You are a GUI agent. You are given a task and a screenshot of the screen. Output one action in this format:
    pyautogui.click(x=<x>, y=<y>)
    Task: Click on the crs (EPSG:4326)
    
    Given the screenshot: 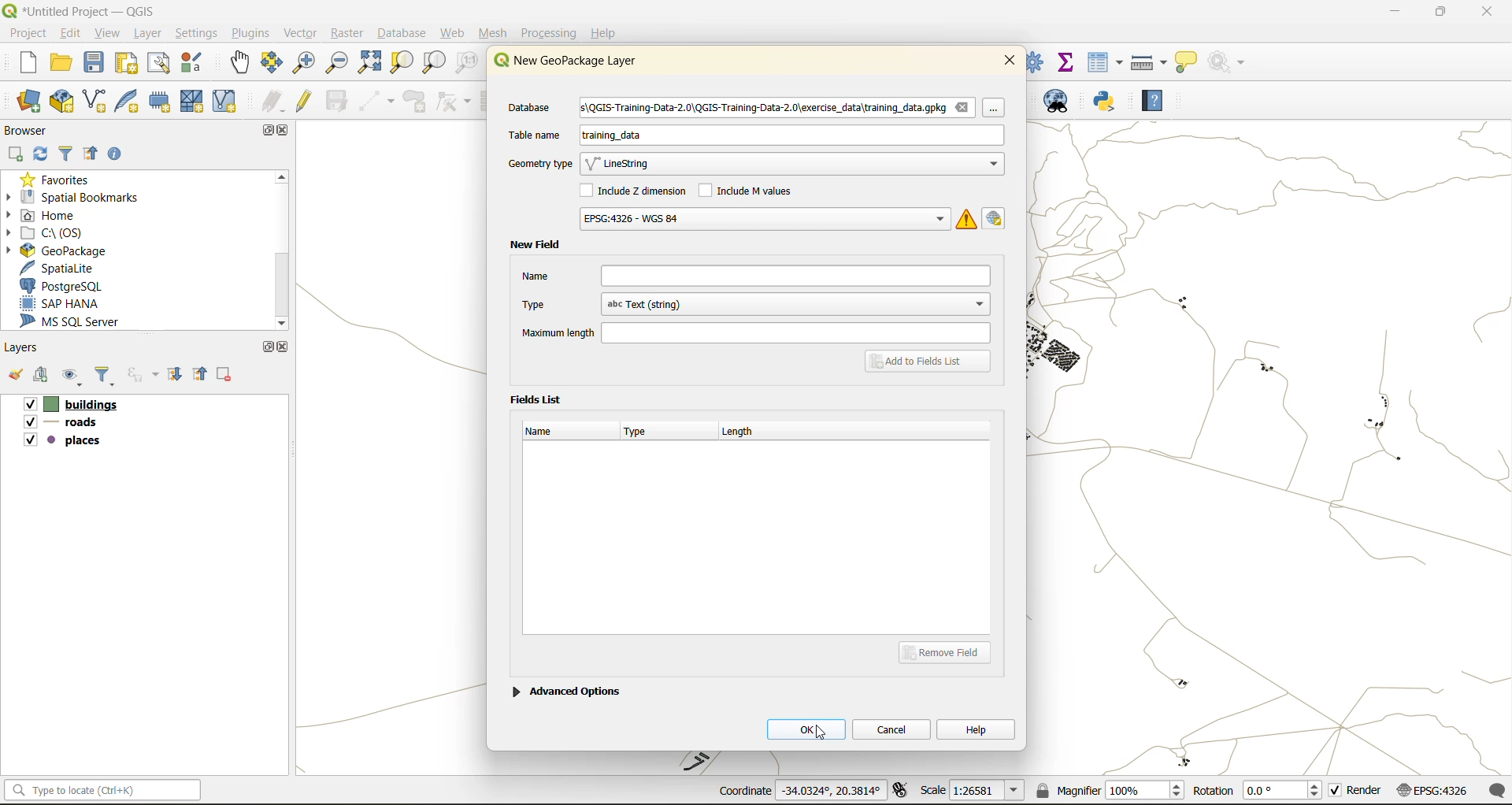 What is the action you would take?
    pyautogui.click(x=1436, y=791)
    